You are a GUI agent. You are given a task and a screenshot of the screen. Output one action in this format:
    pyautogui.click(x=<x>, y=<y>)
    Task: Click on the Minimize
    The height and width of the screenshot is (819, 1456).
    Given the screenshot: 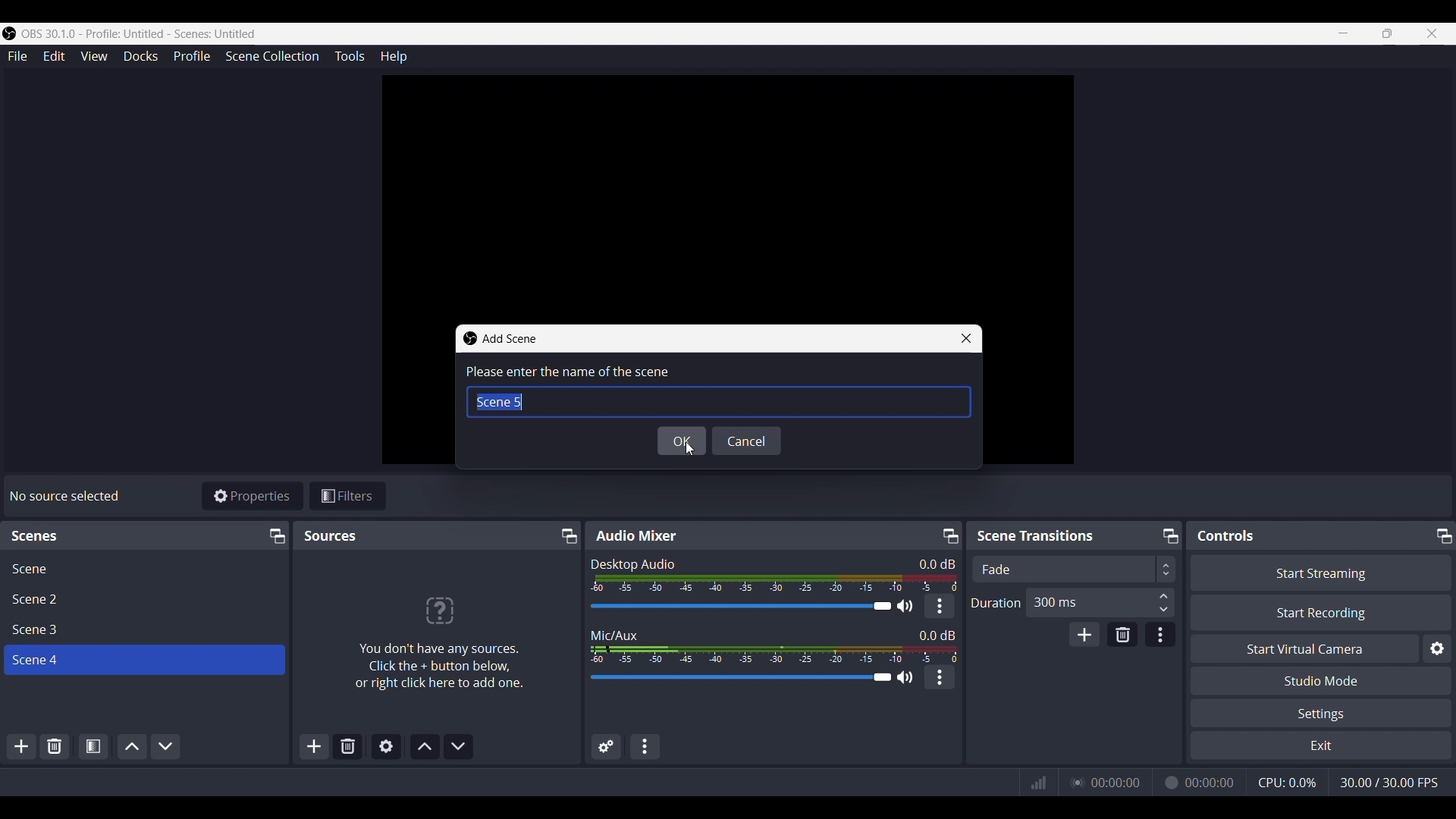 What is the action you would take?
    pyautogui.click(x=1341, y=33)
    